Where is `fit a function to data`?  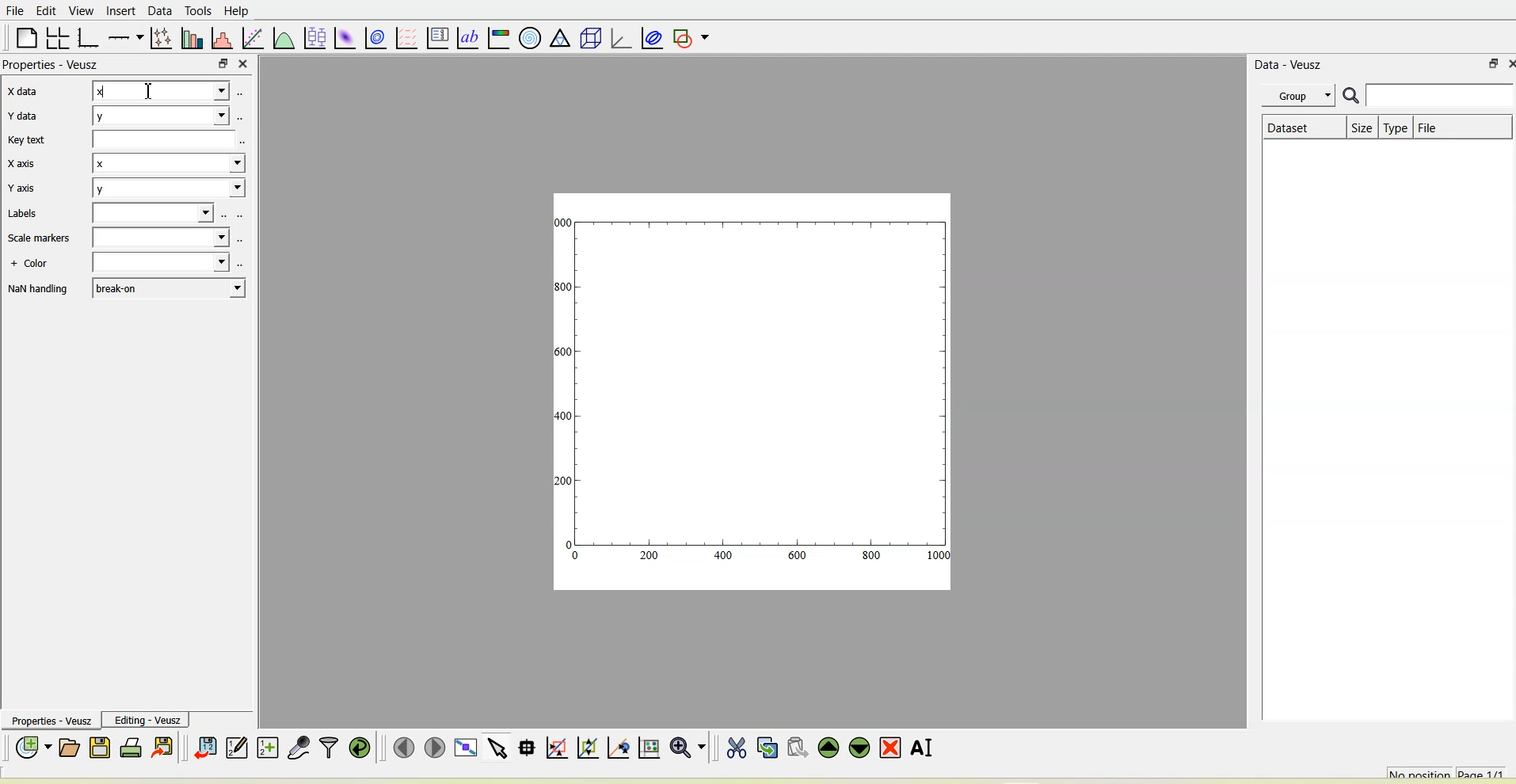 fit a function to data is located at coordinates (252, 38).